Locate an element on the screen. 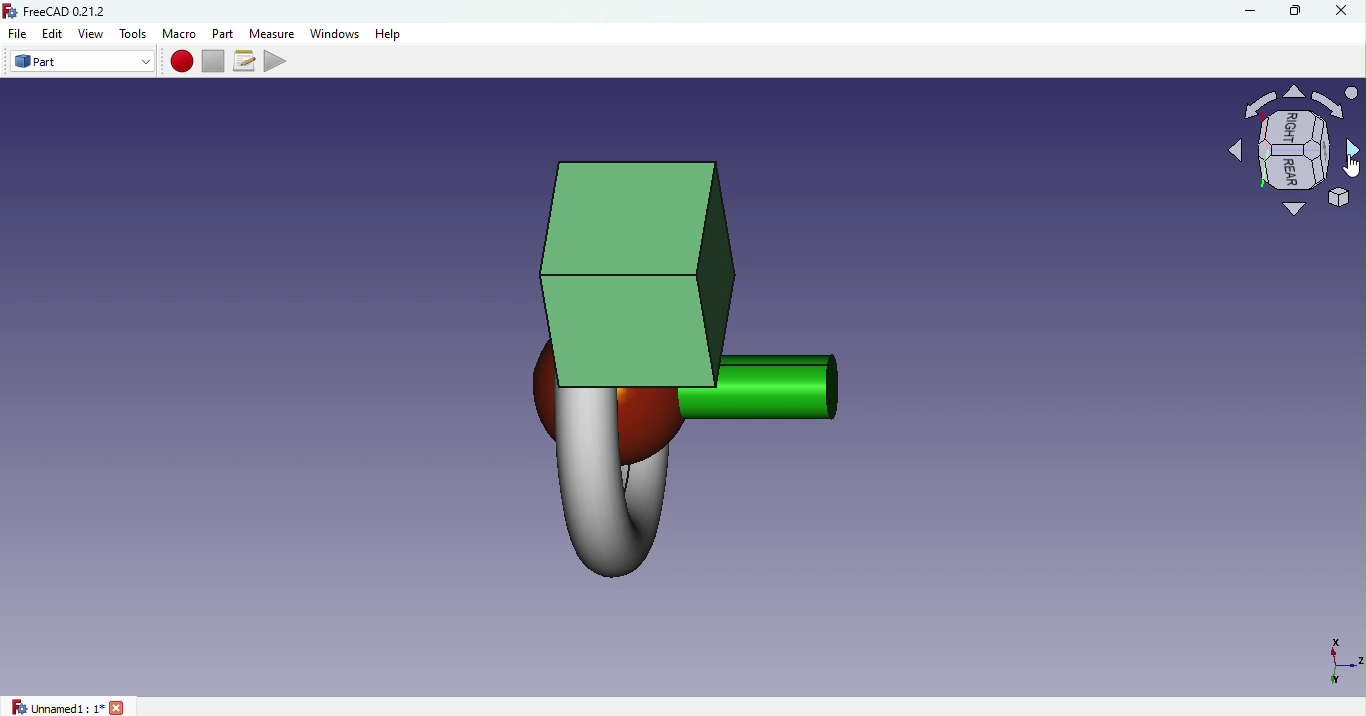  cursor is located at coordinates (1348, 166).